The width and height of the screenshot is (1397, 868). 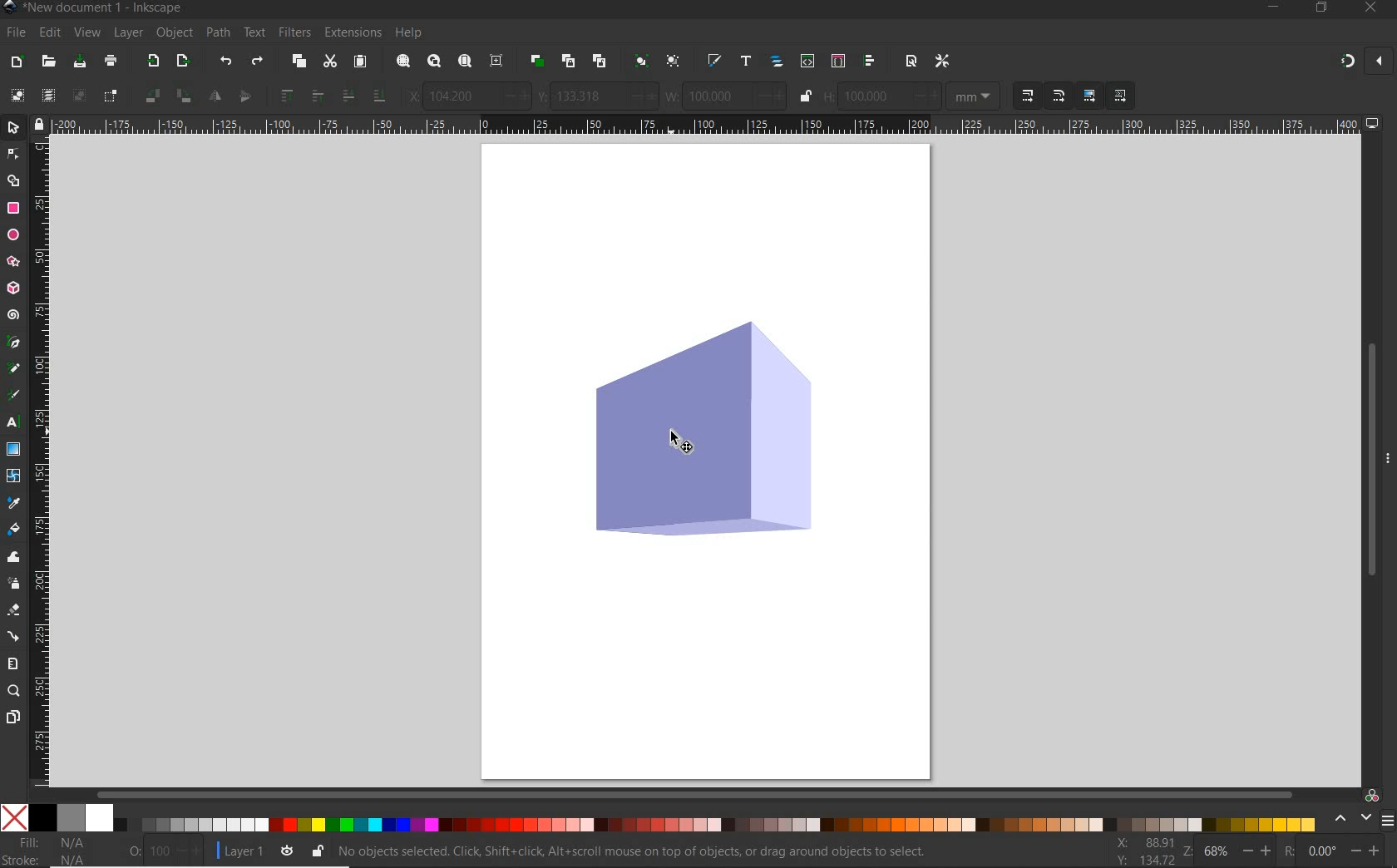 What do you see at coordinates (1121, 96) in the screenshot?
I see `MOVE PATTERNS` at bounding box center [1121, 96].